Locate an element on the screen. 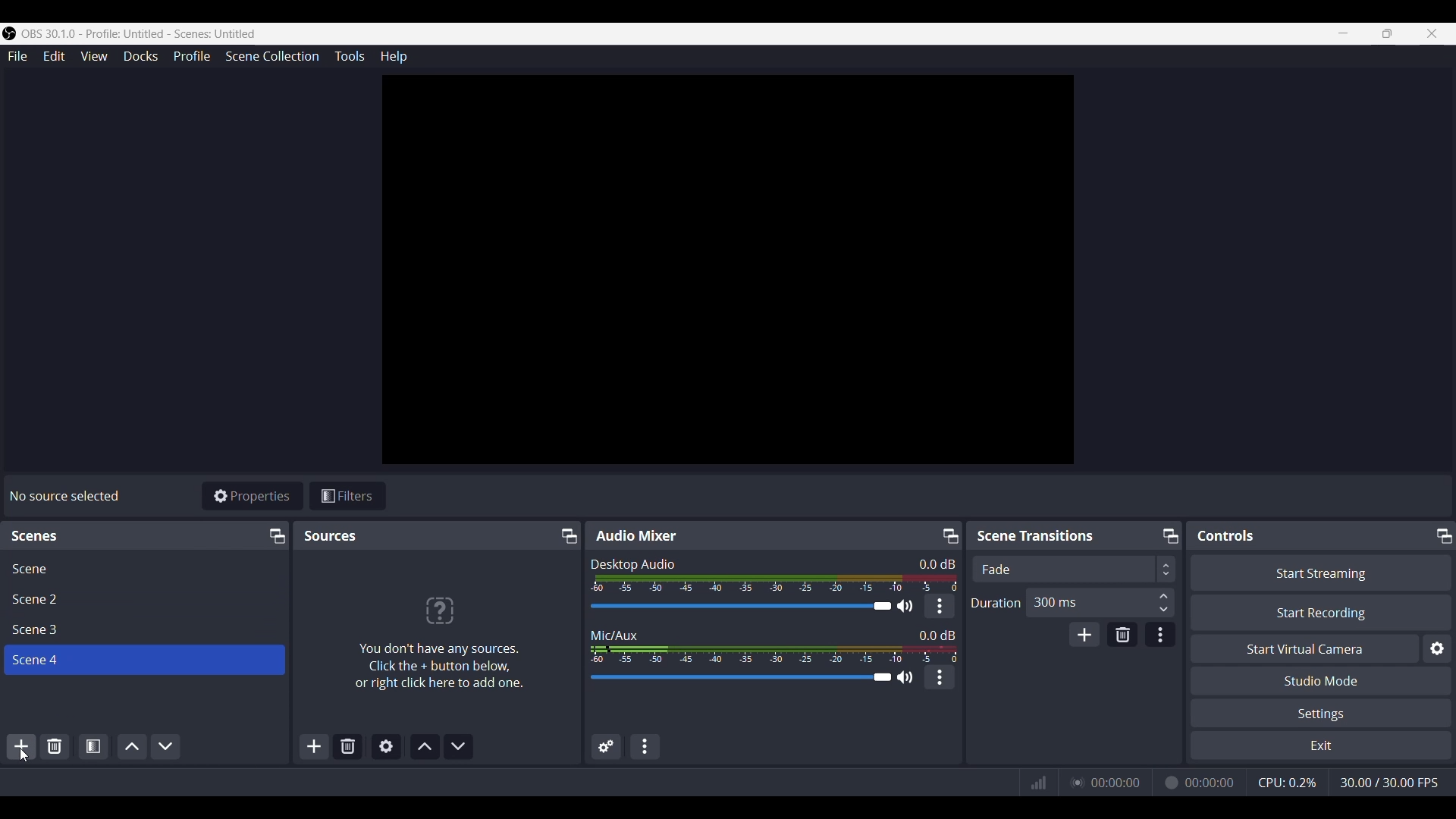  Edit is located at coordinates (54, 57).